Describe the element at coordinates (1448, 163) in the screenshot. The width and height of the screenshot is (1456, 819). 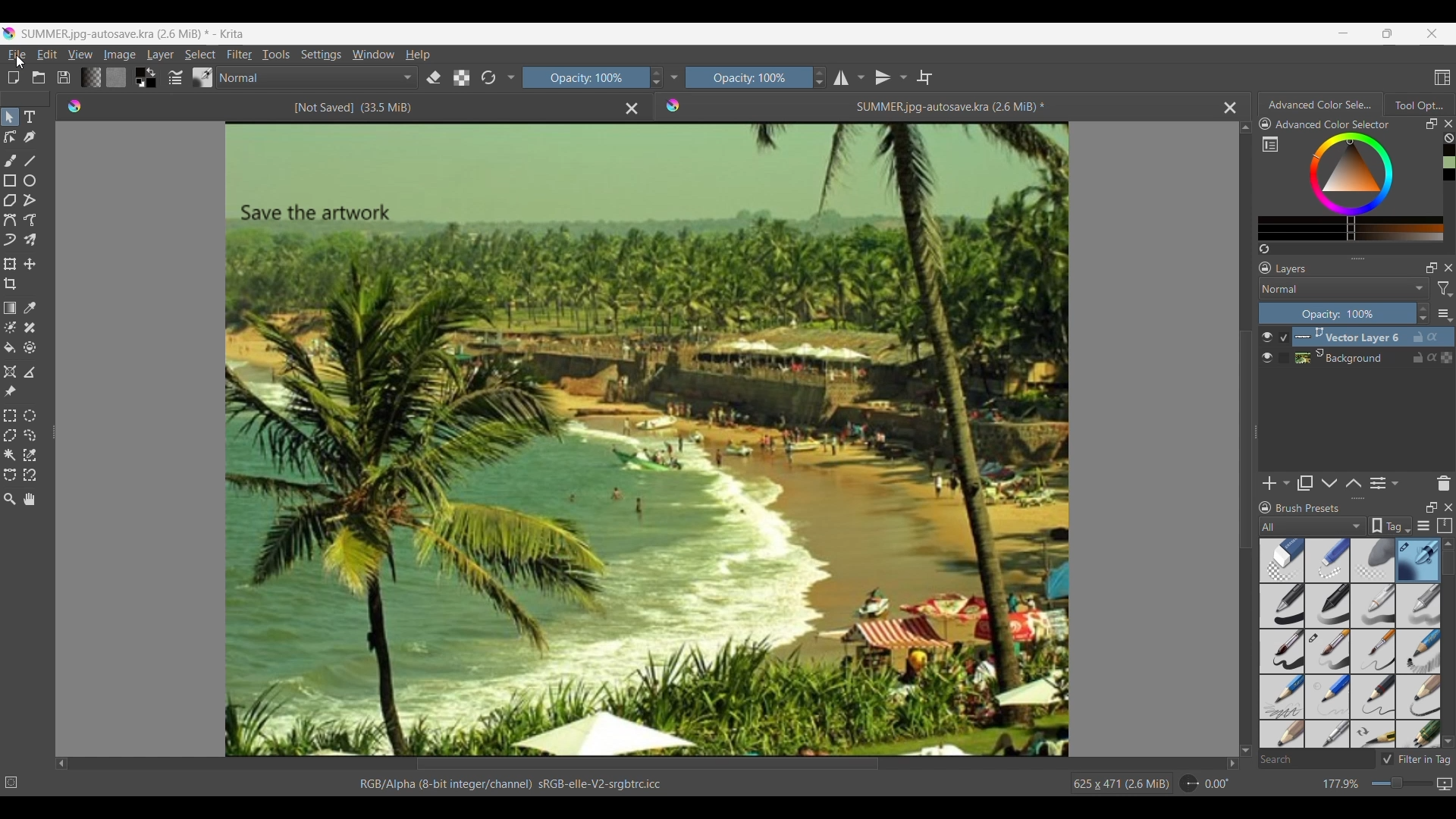
I see `Color history` at that location.